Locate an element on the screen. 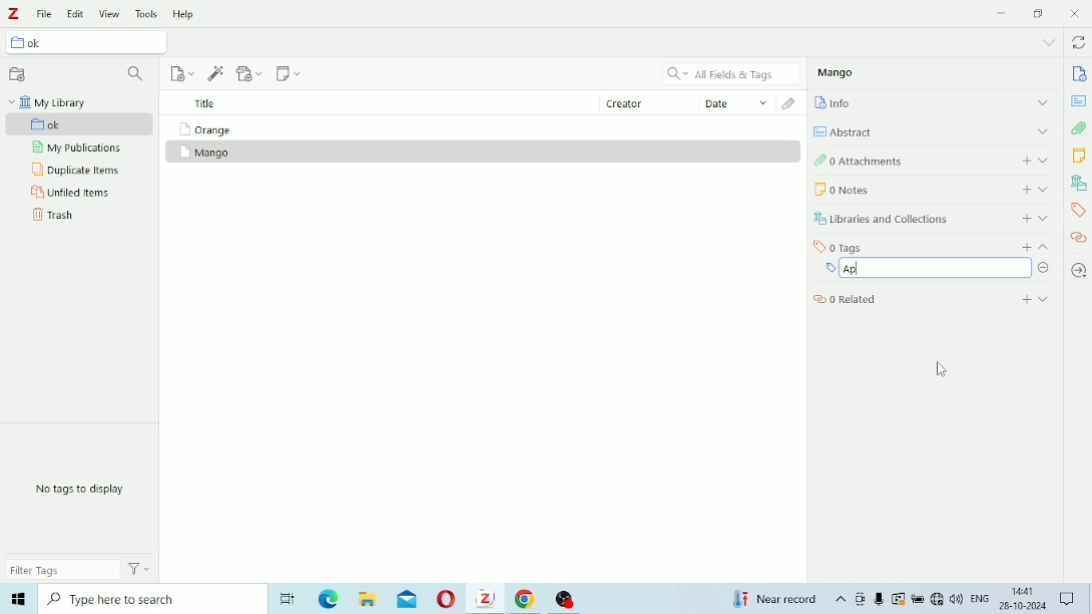 The height and width of the screenshot is (614, 1092). Task View is located at coordinates (290, 597).